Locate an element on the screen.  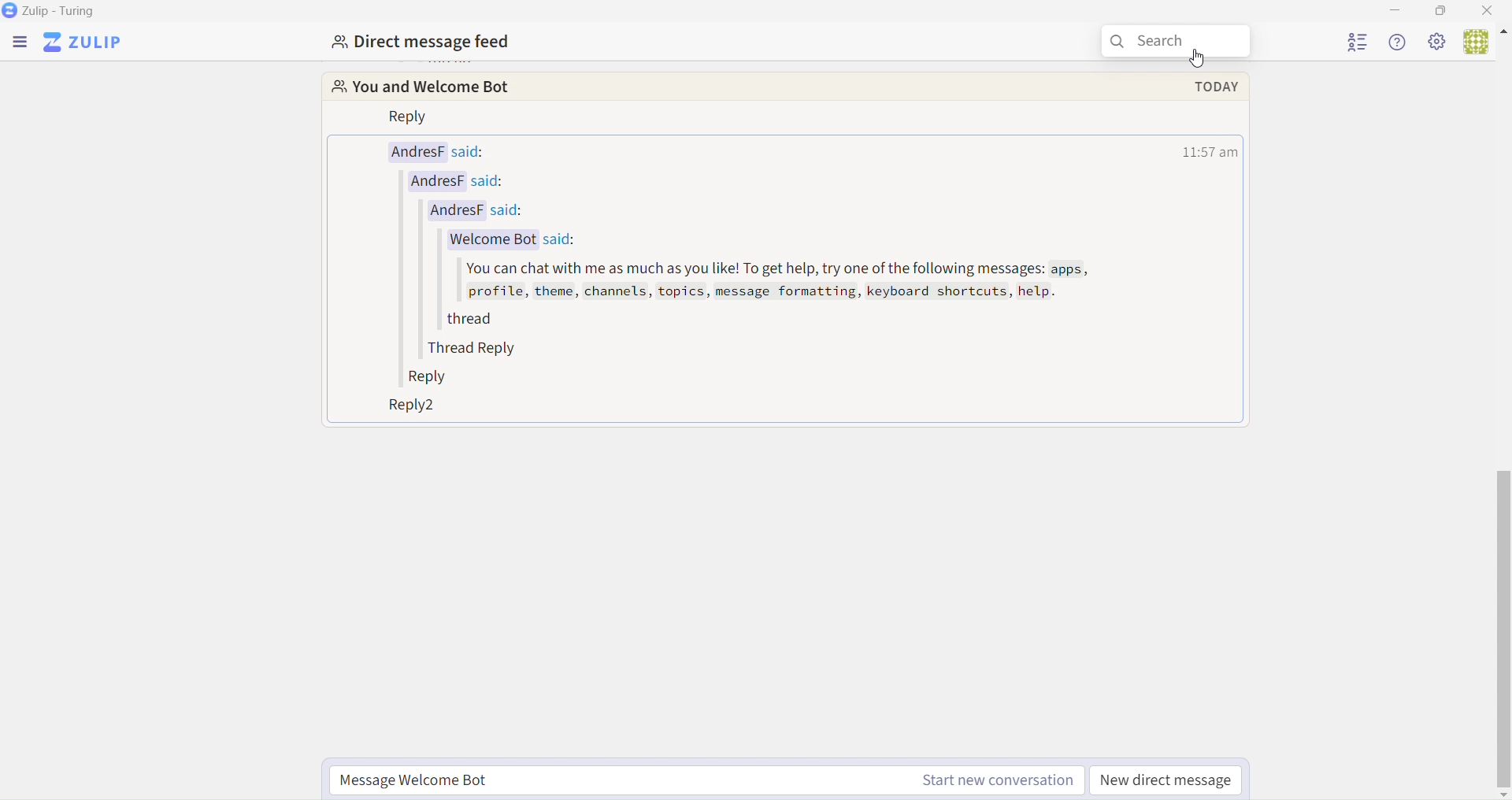
Zulip is located at coordinates (83, 45).